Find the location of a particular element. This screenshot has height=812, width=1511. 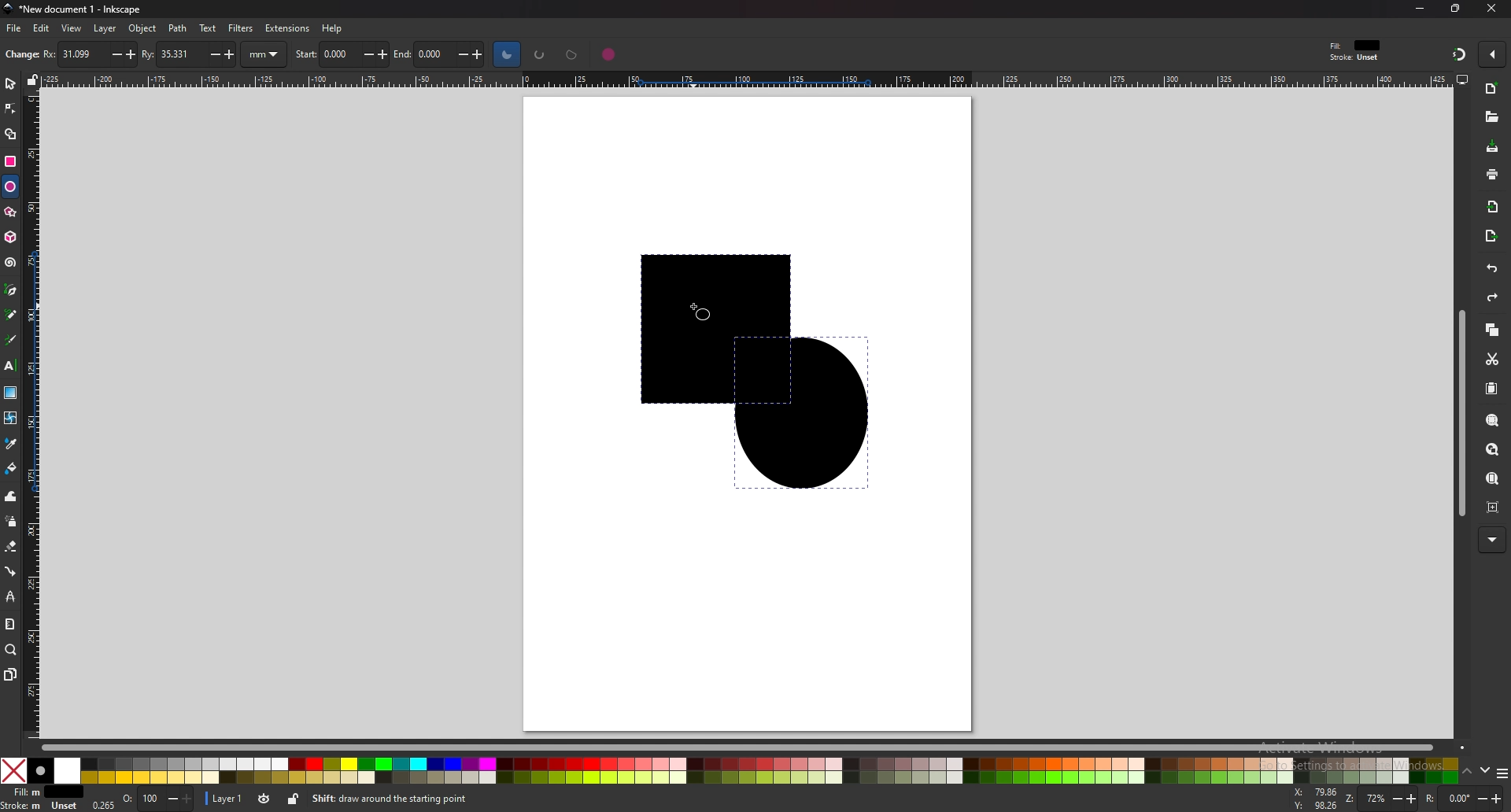

open is located at coordinates (1491, 116).